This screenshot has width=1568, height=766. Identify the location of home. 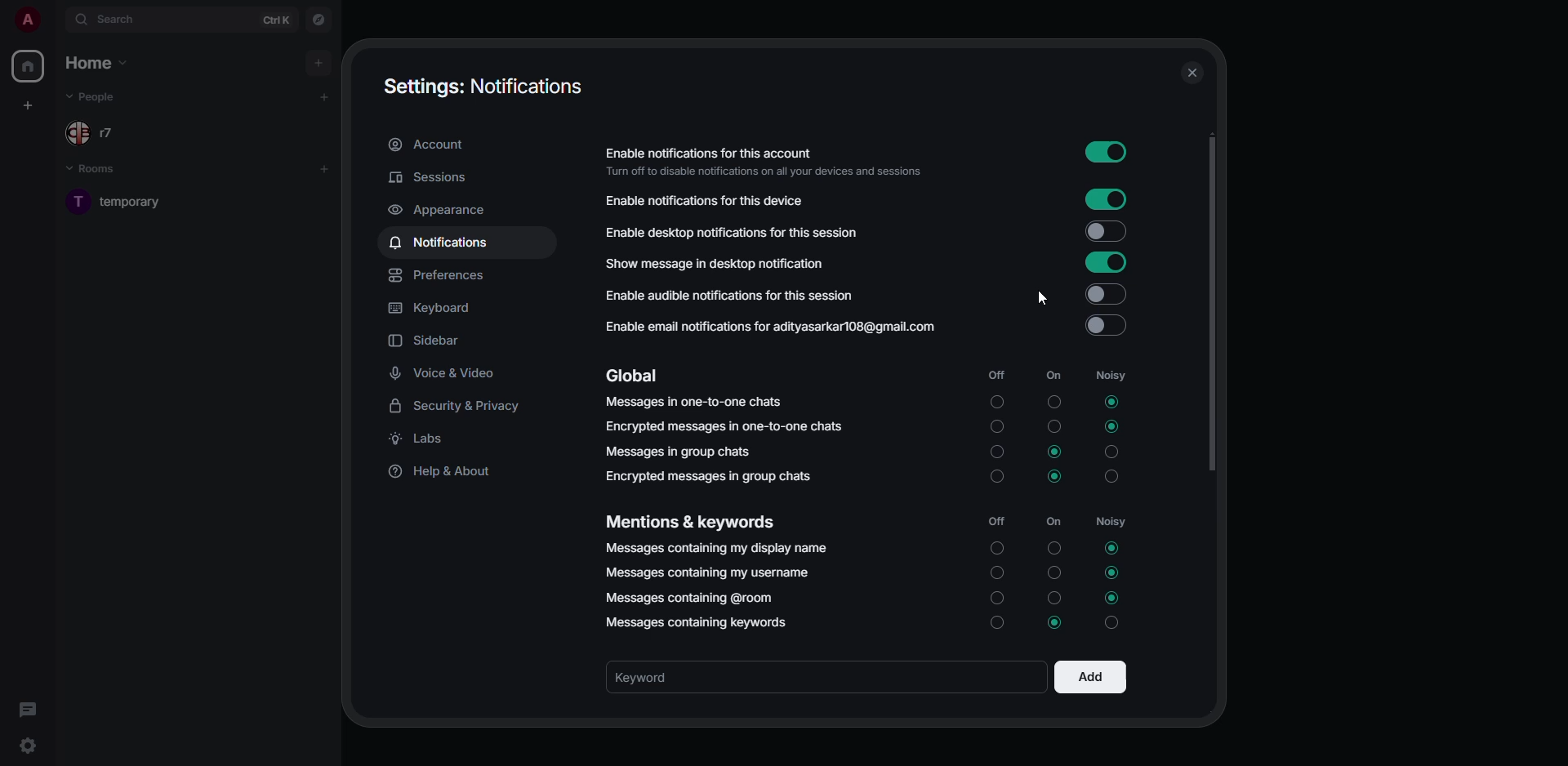
(98, 62).